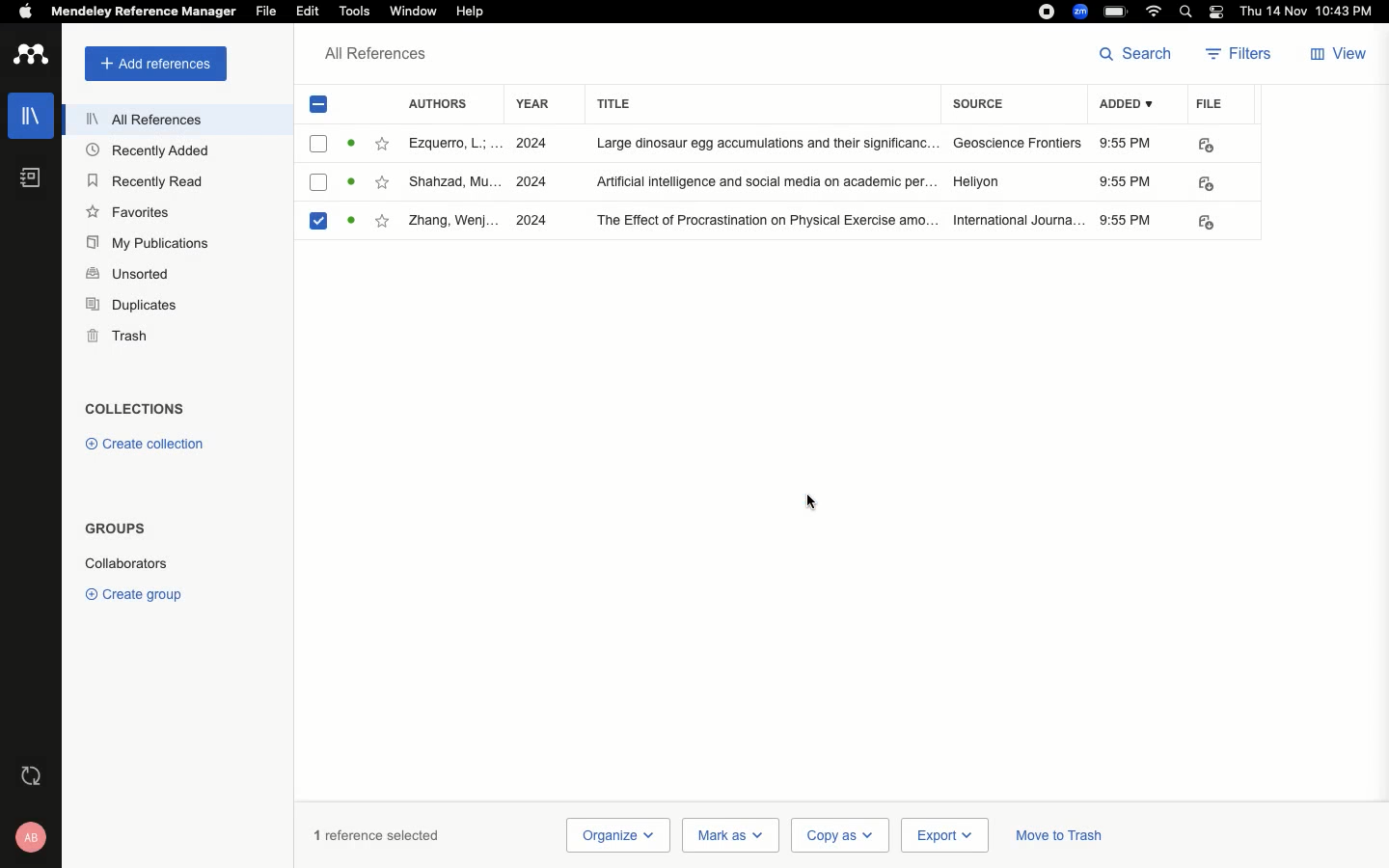 The height and width of the screenshot is (868, 1389). Describe the element at coordinates (135, 411) in the screenshot. I see `Collections` at that location.